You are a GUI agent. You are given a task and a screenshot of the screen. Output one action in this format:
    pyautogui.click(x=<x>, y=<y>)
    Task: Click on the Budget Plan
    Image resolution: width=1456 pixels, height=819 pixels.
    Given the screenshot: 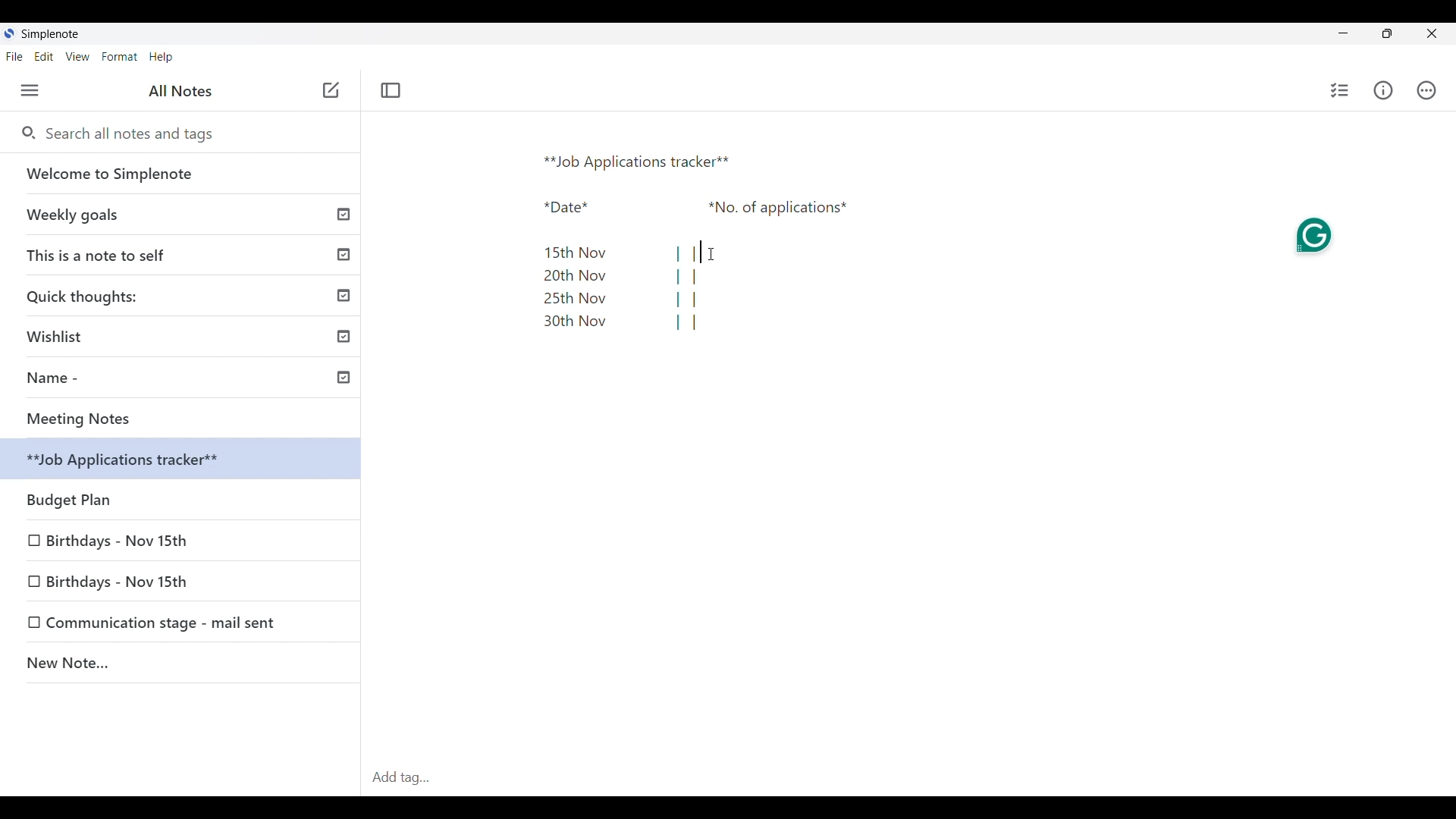 What is the action you would take?
    pyautogui.click(x=184, y=461)
    